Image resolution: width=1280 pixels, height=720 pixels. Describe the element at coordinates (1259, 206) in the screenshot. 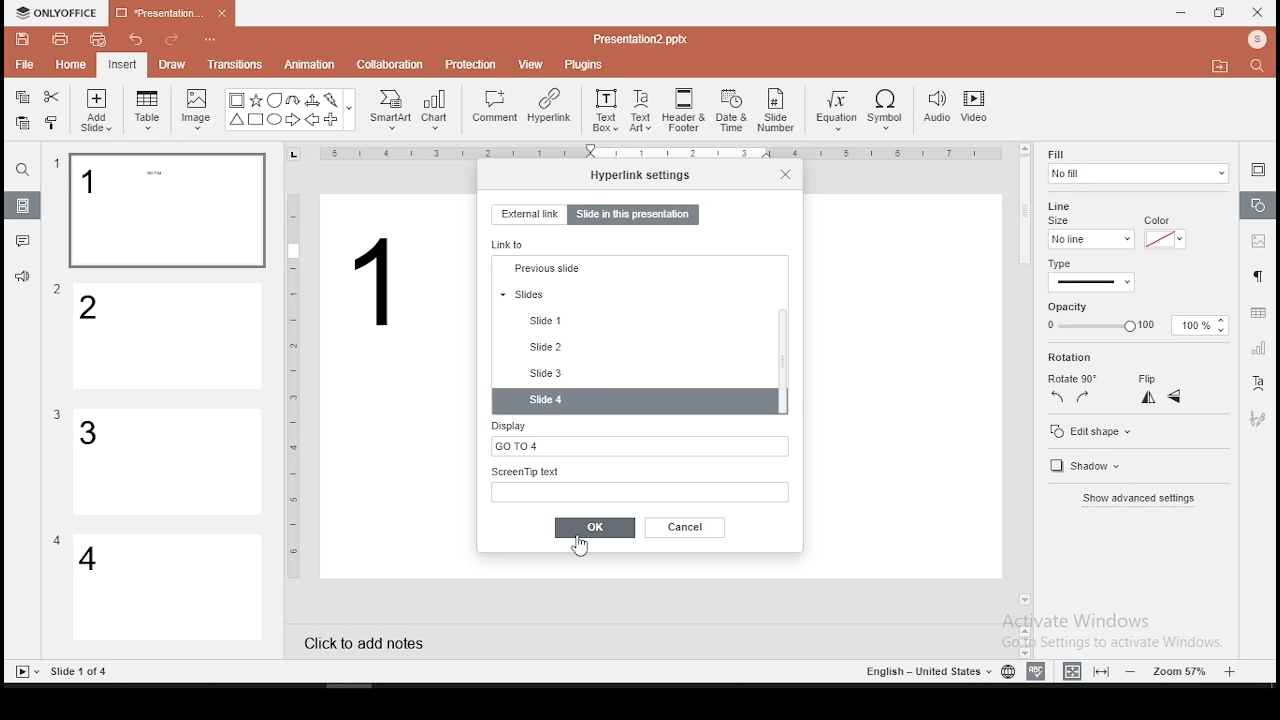

I see `shape settings` at that location.